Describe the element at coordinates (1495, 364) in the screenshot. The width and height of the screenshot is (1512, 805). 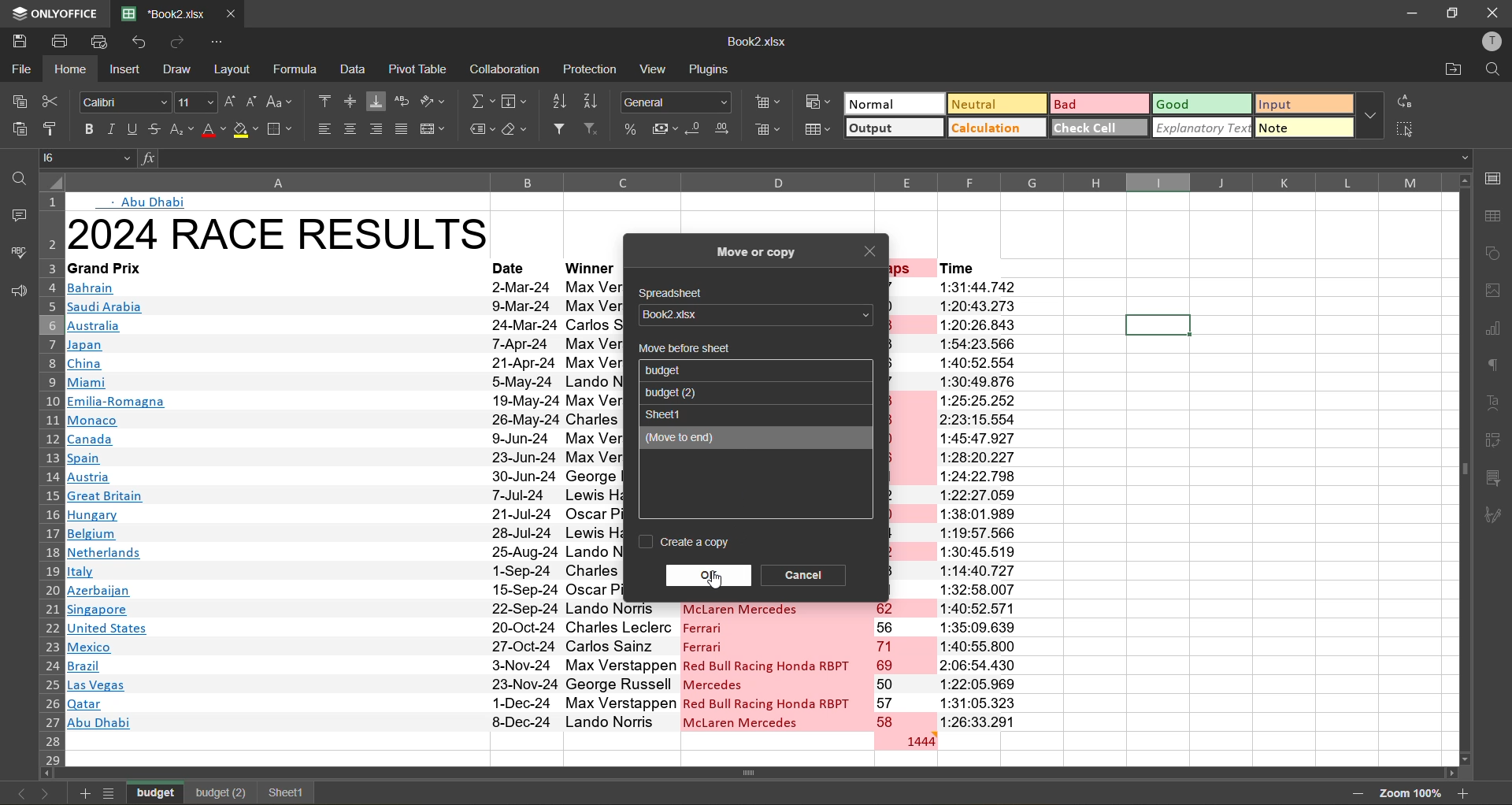
I see `paragraph` at that location.